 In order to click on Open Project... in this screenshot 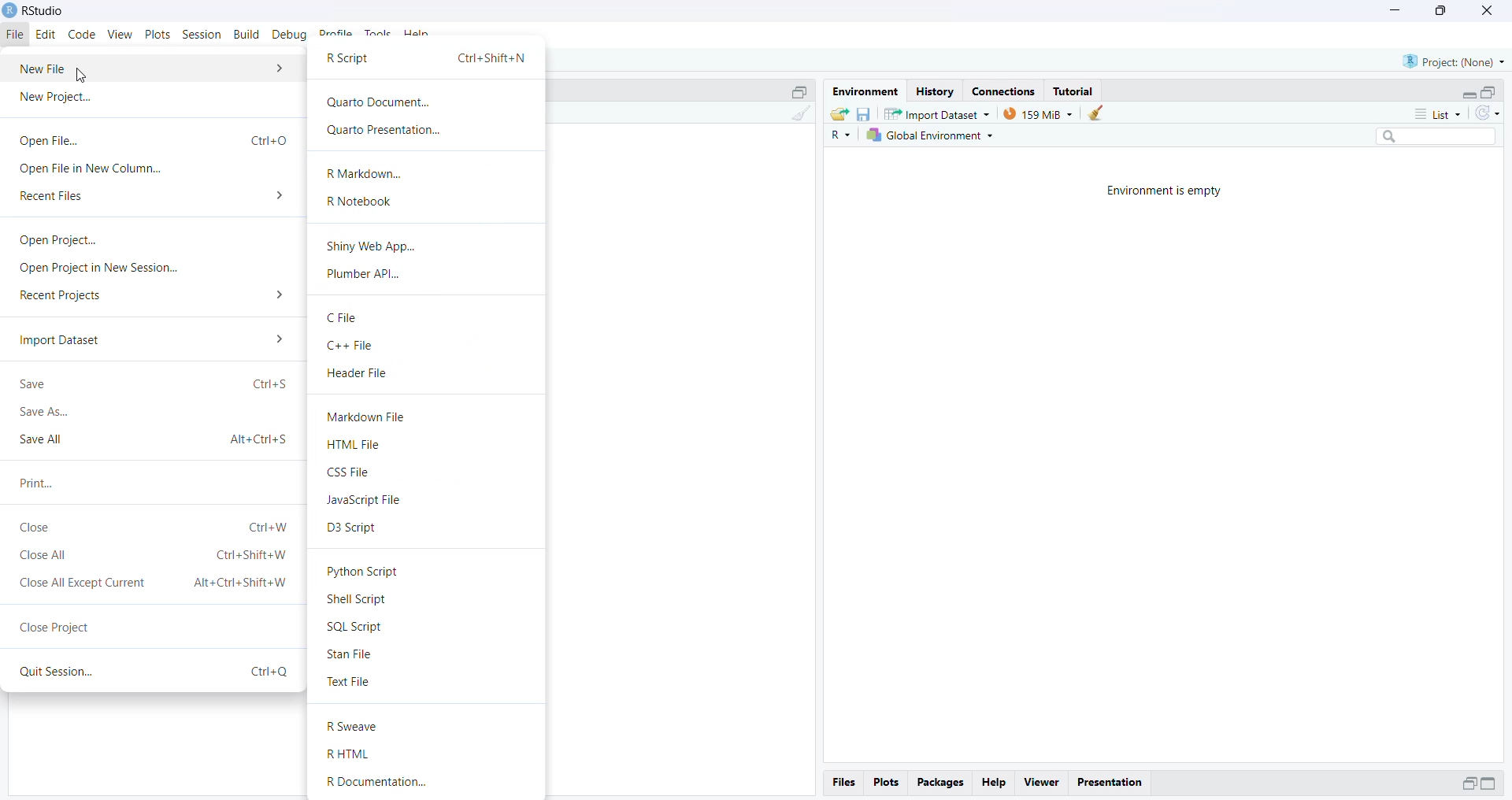, I will do `click(54, 240)`.